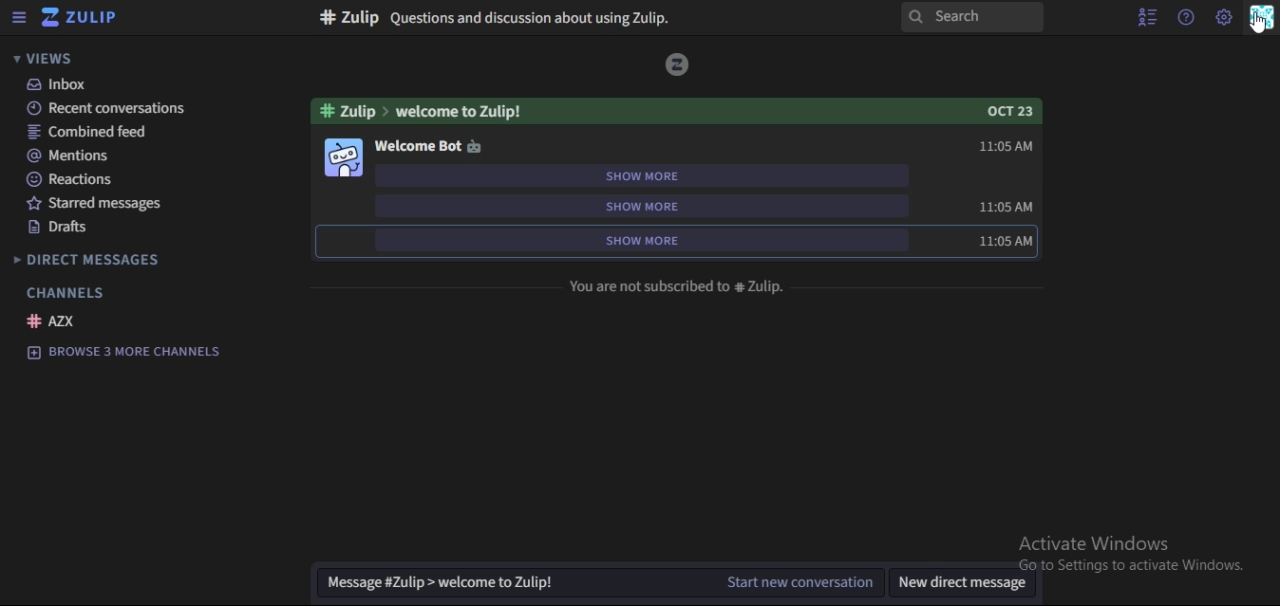 The width and height of the screenshot is (1280, 606). What do you see at coordinates (976, 18) in the screenshot?
I see `search` at bounding box center [976, 18].